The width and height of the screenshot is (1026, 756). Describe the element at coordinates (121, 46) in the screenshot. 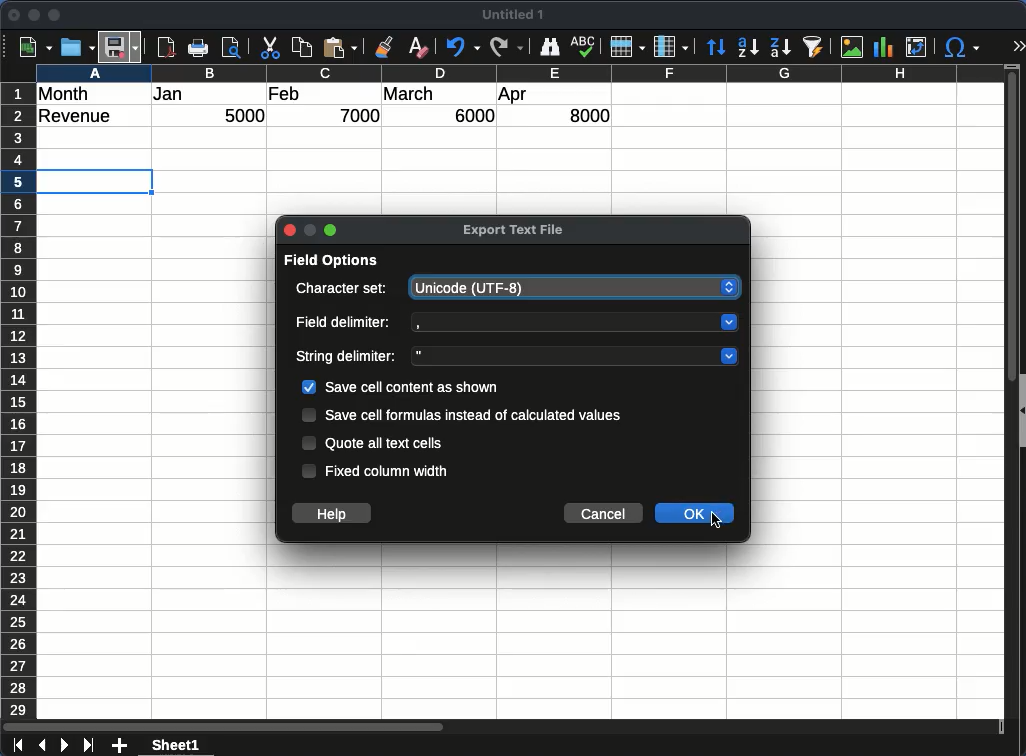

I see `Save` at that location.